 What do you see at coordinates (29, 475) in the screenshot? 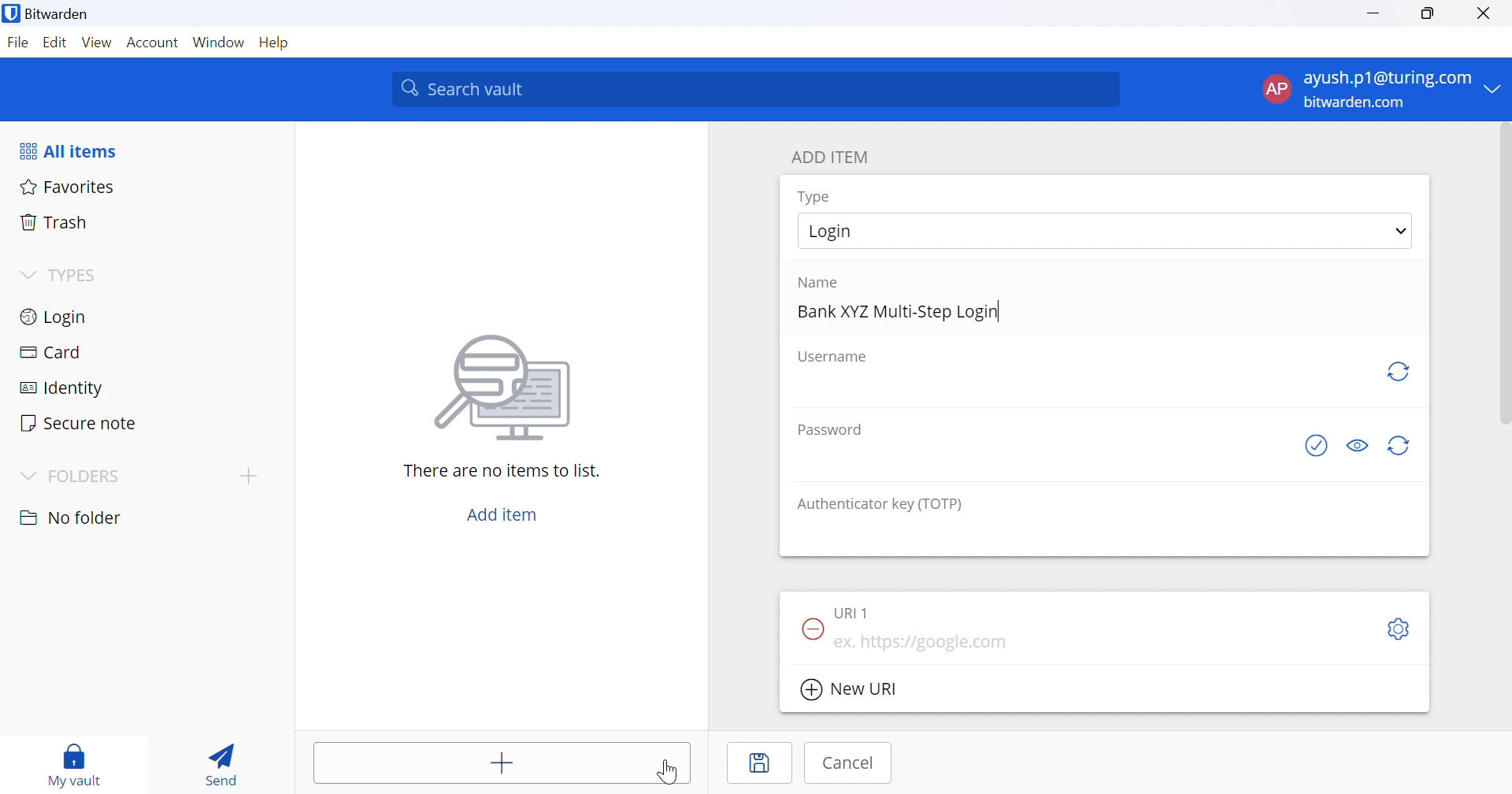
I see `Drop Down` at bounding box center [29, 475].